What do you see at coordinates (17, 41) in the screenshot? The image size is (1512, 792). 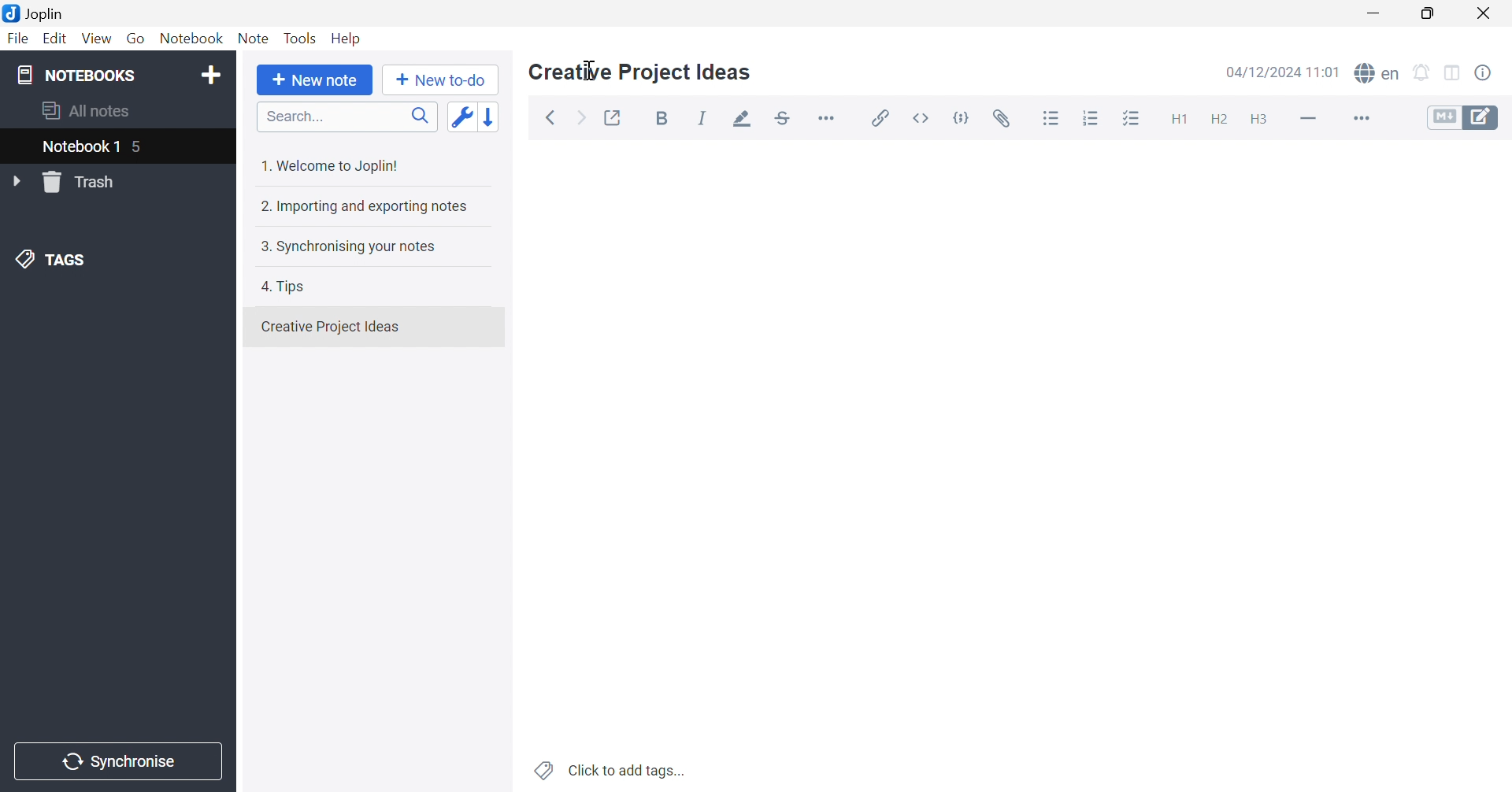 I see `File` at bounding box center [17, 41].